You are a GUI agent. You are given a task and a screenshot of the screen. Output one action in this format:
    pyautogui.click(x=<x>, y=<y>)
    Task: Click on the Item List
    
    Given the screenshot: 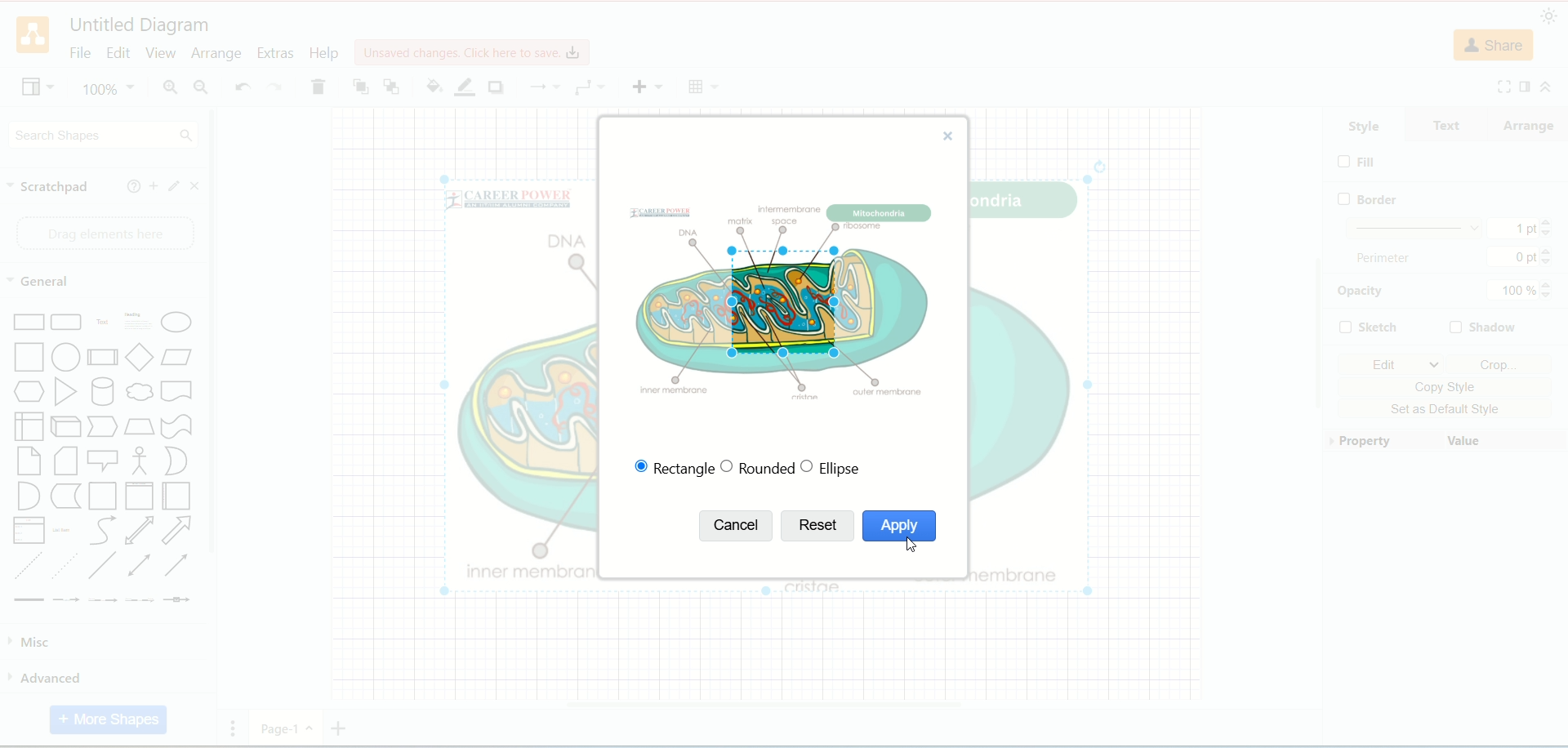 What is the action you would take?
    pyautogui.click(x=30, y=530)
    